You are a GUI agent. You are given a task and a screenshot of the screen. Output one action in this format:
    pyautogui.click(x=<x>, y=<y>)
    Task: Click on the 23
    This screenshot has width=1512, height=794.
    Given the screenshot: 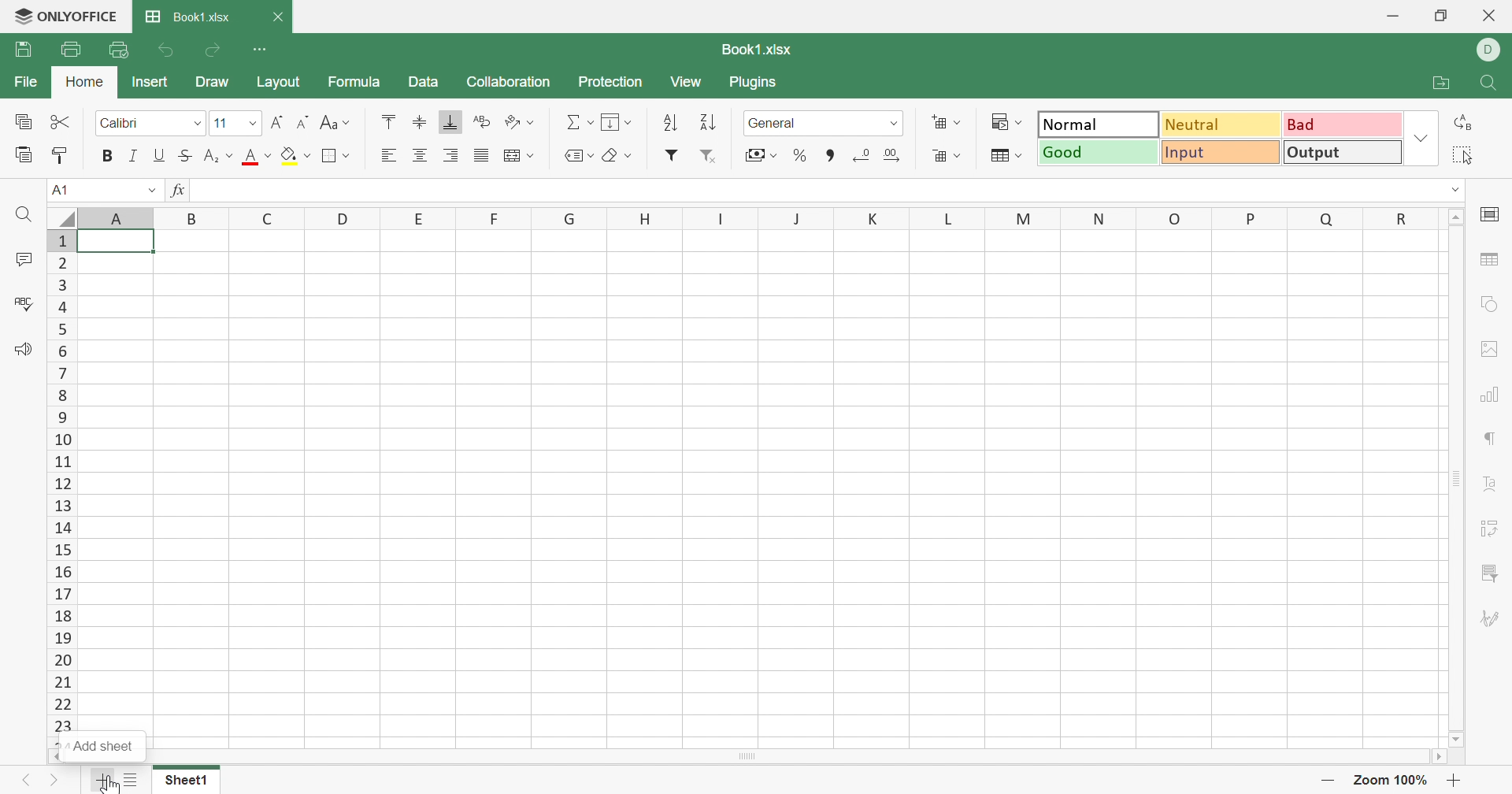 What is the action you would take?
    pyautogui.click(x=63, y=725)
    